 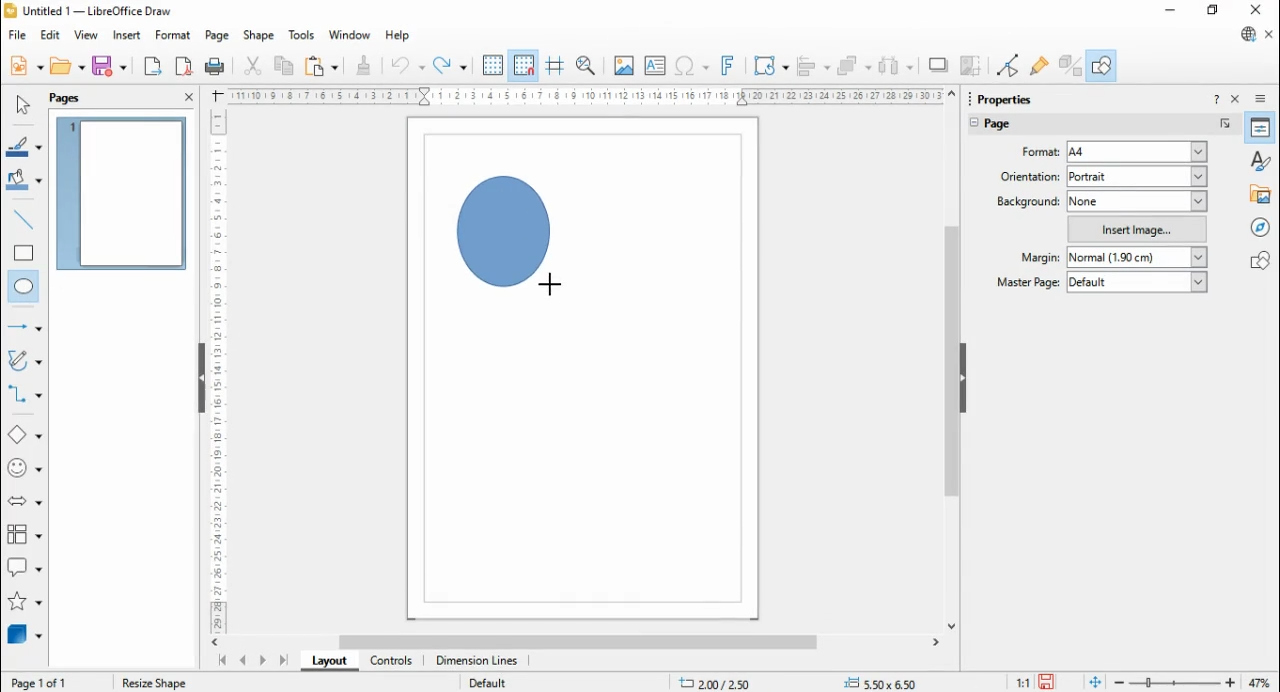 What do you see at coordinates (1262, 99) in the screenshot?
I see `sidebar deck settings` at bounding box center [1262, 99].